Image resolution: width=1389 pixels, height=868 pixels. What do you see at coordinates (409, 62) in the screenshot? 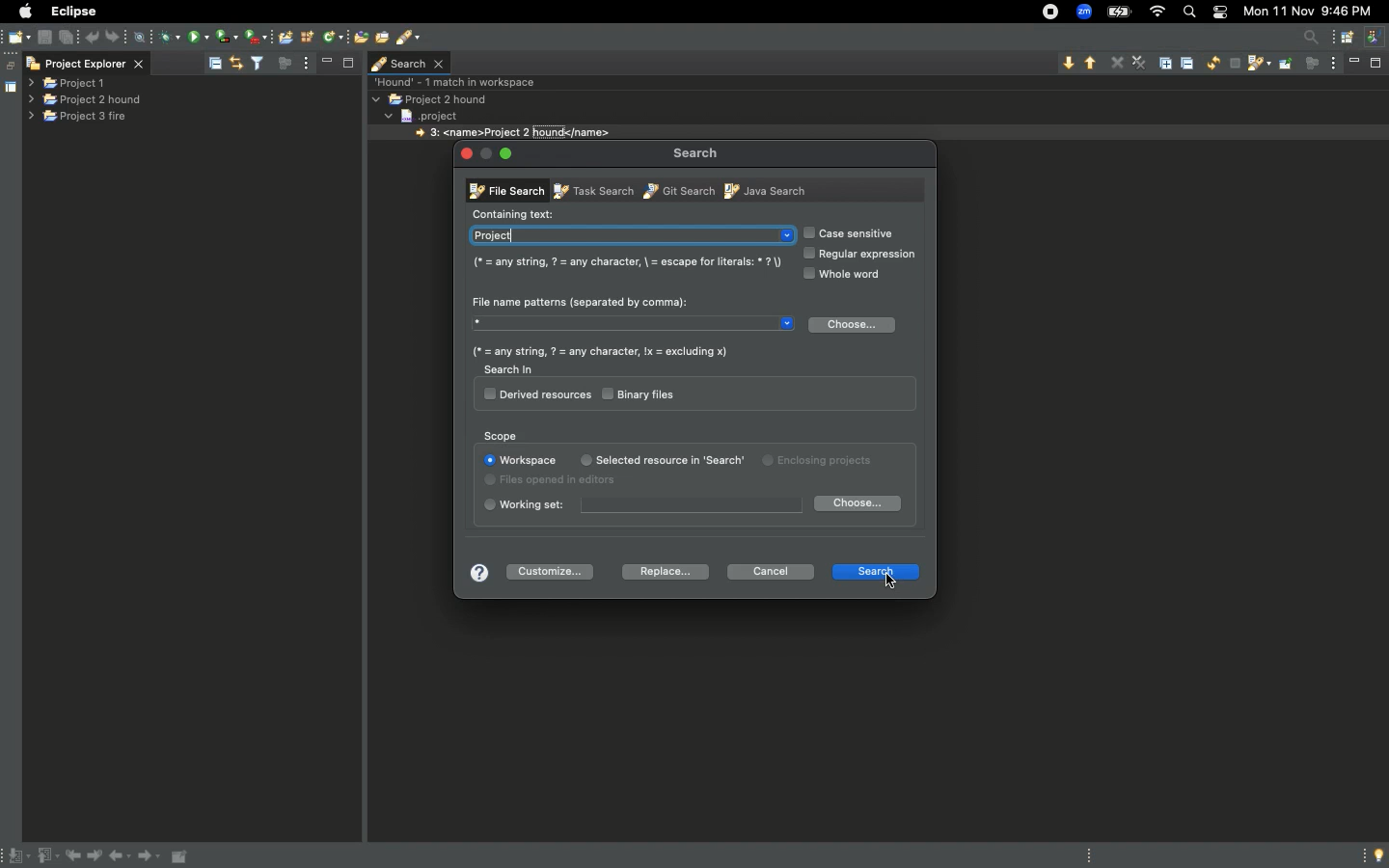
I see `Search` at bounding box center [409, 62].